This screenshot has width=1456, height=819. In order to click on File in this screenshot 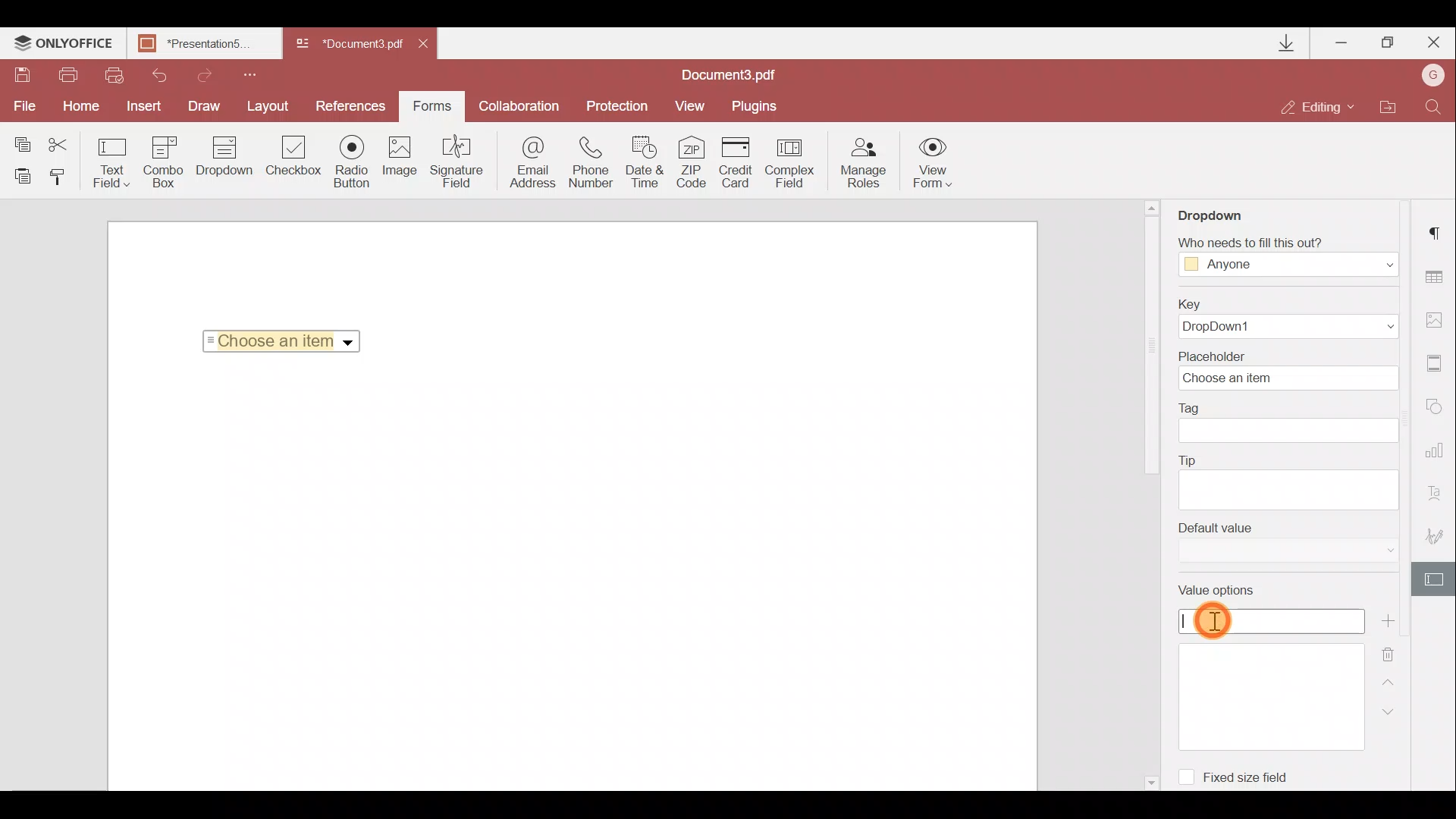, I will do `click(23, 106)`.